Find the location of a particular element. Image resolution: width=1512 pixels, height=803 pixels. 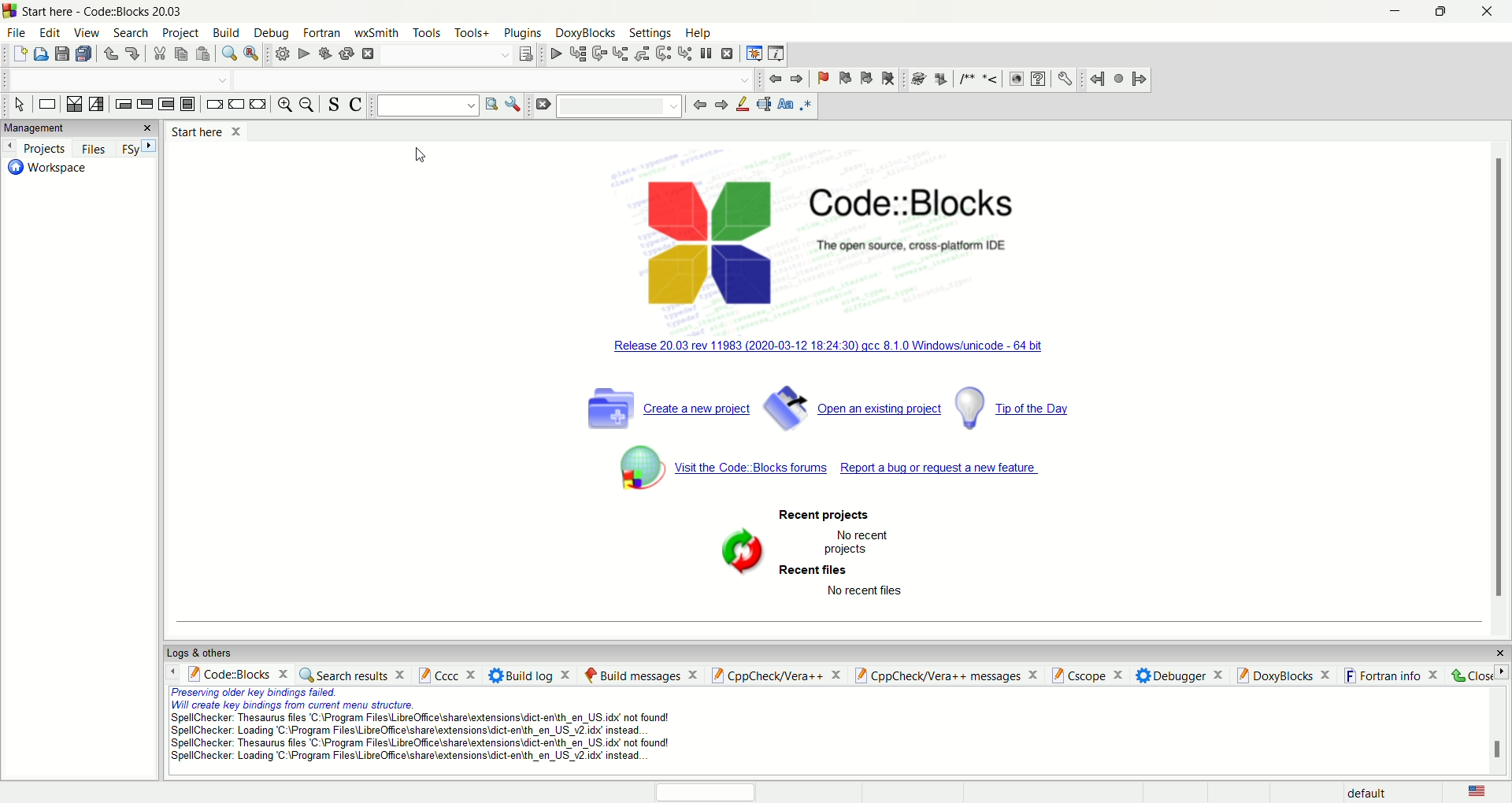

doxyblocks is located at coordinates (586, 33).